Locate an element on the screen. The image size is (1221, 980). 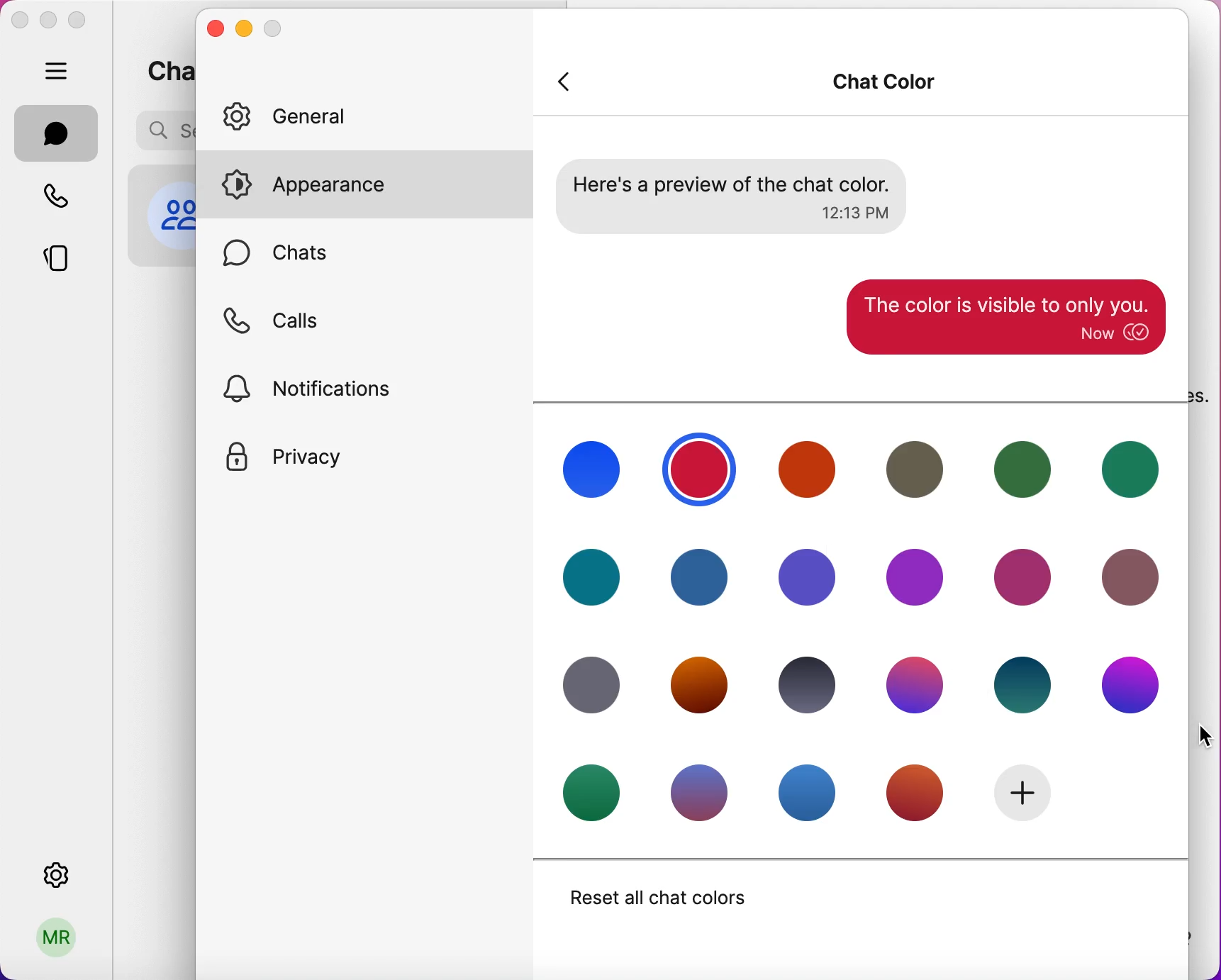
applied color is located at coordinates (1000, 316).